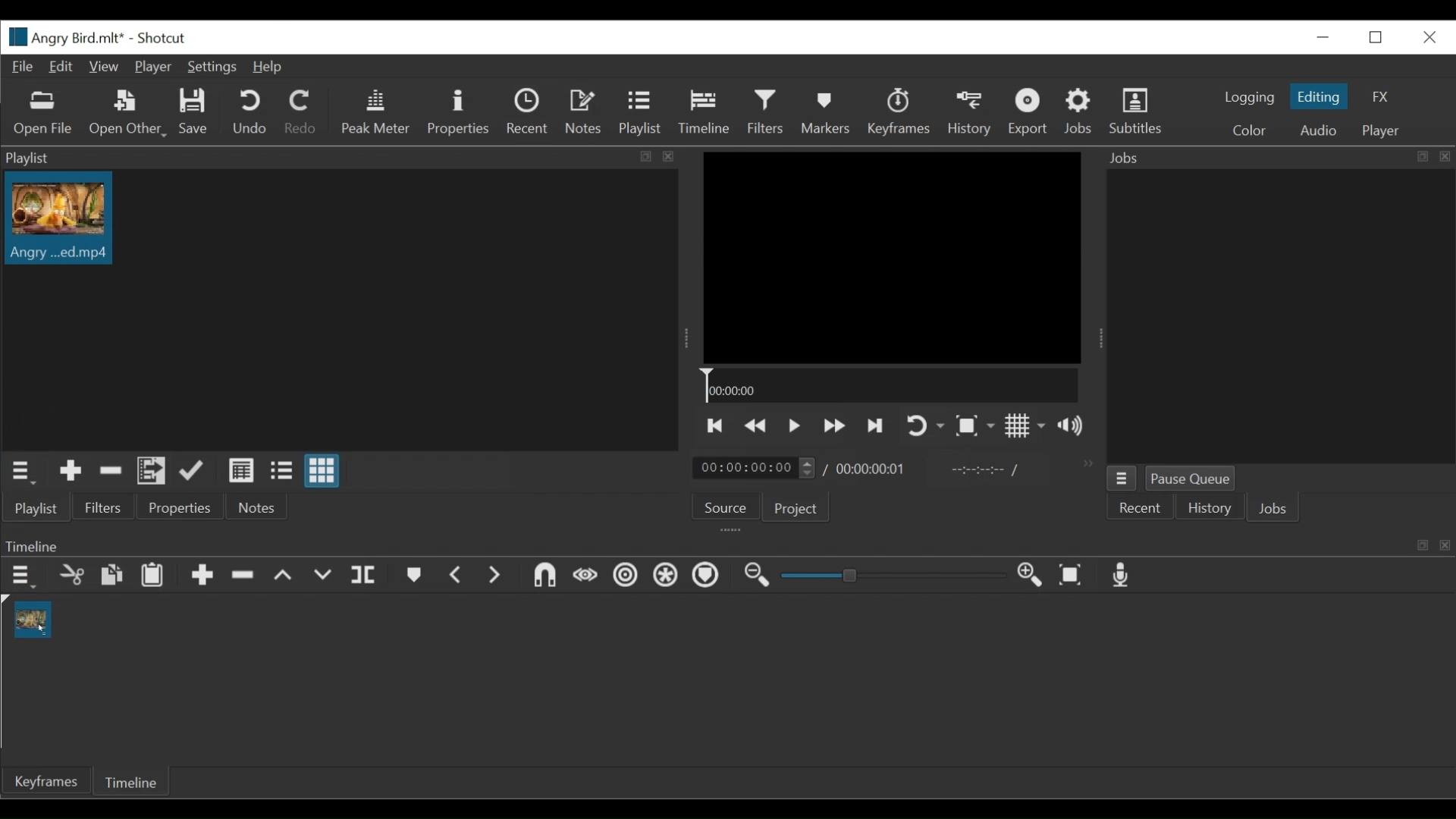  Describe the element at coordinates (543, 575) in the screenshot. I see `Snap` at that location.